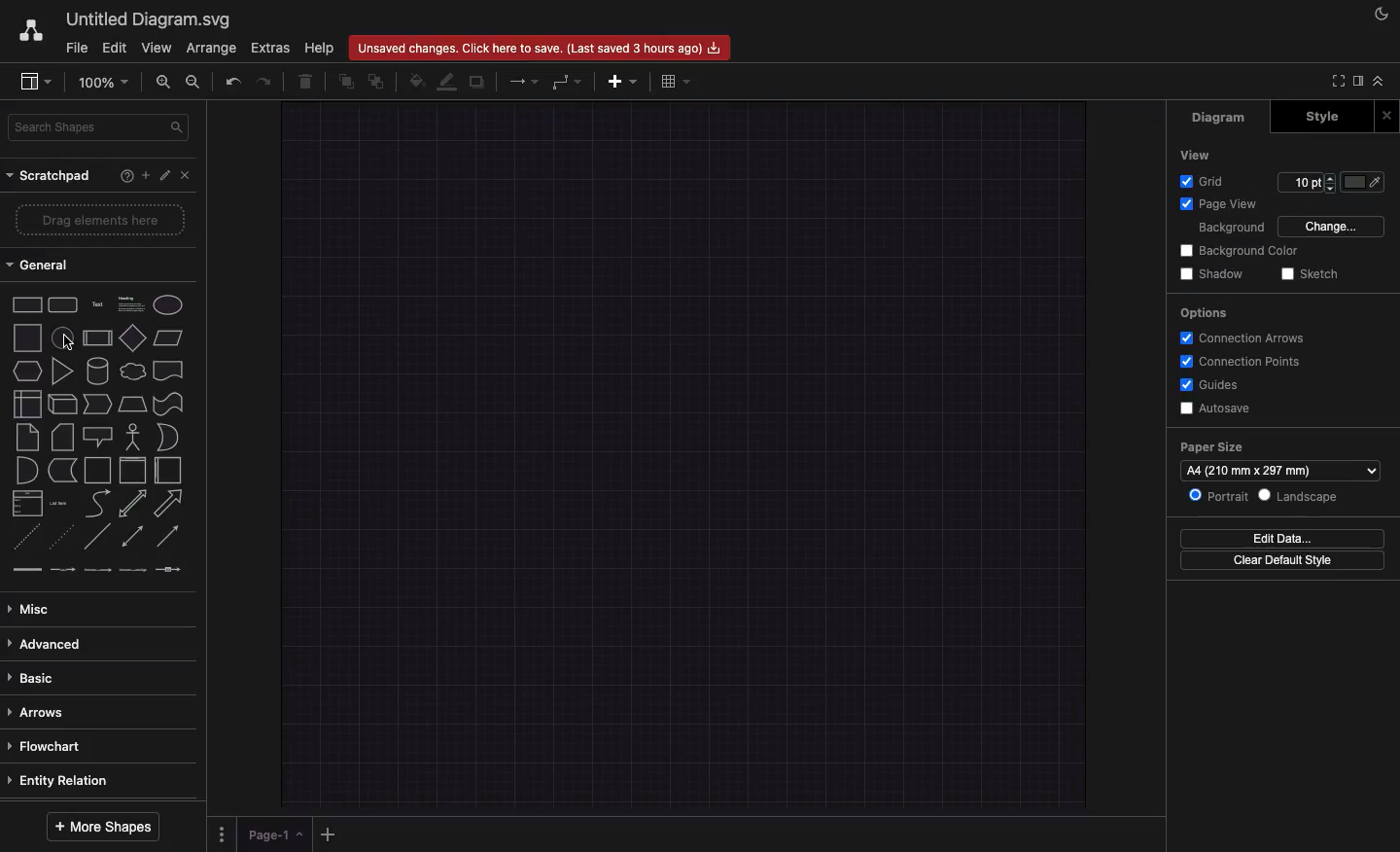  What do you see at coordinates (417, 83) in the screenshot?
I see `Fill color` at bounding box center [417, 83].